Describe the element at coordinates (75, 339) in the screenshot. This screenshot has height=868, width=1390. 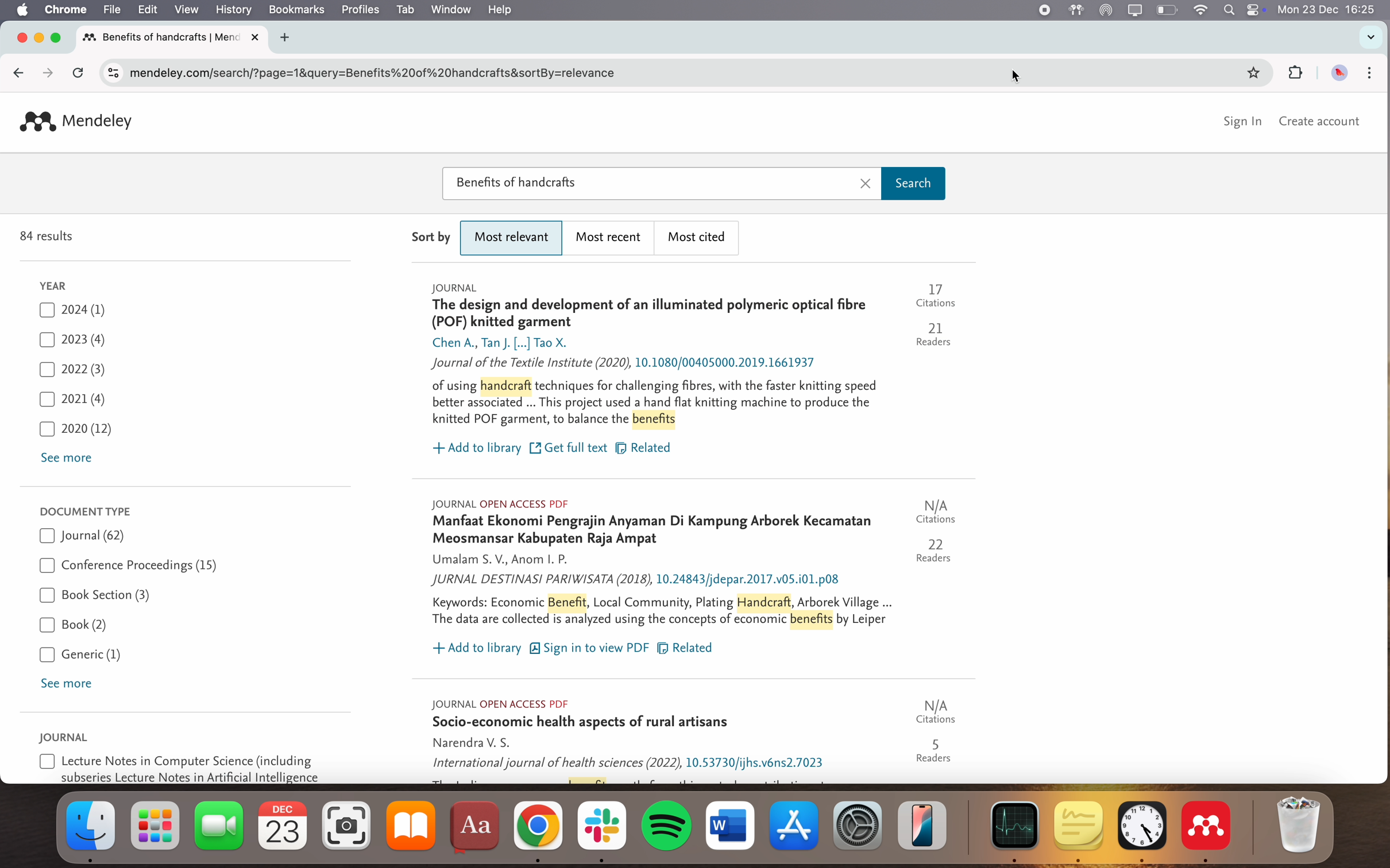
I see `2023` at that location.